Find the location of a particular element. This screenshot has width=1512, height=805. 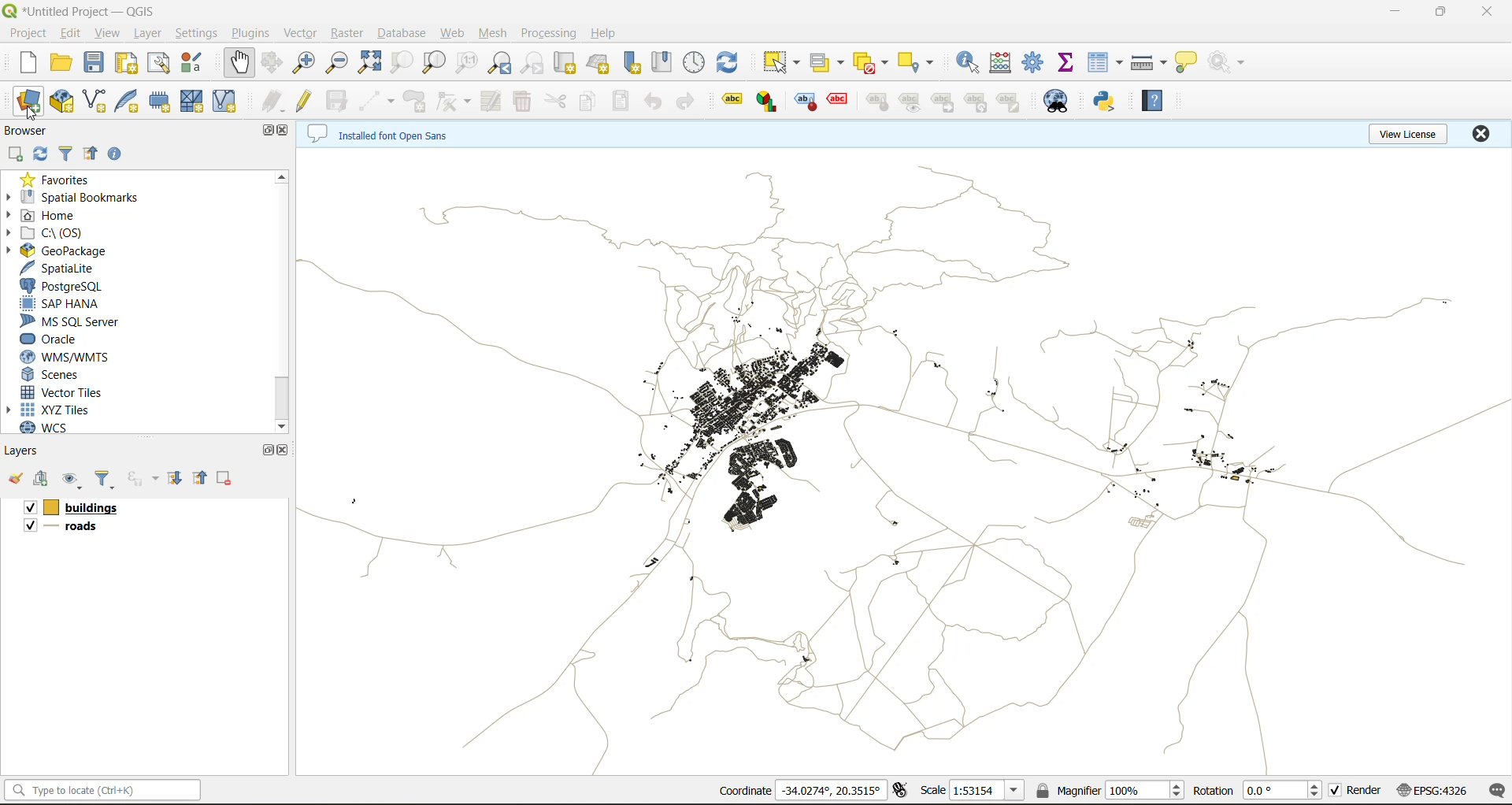

show spatial bookmark is located at coordinates (667, 61).